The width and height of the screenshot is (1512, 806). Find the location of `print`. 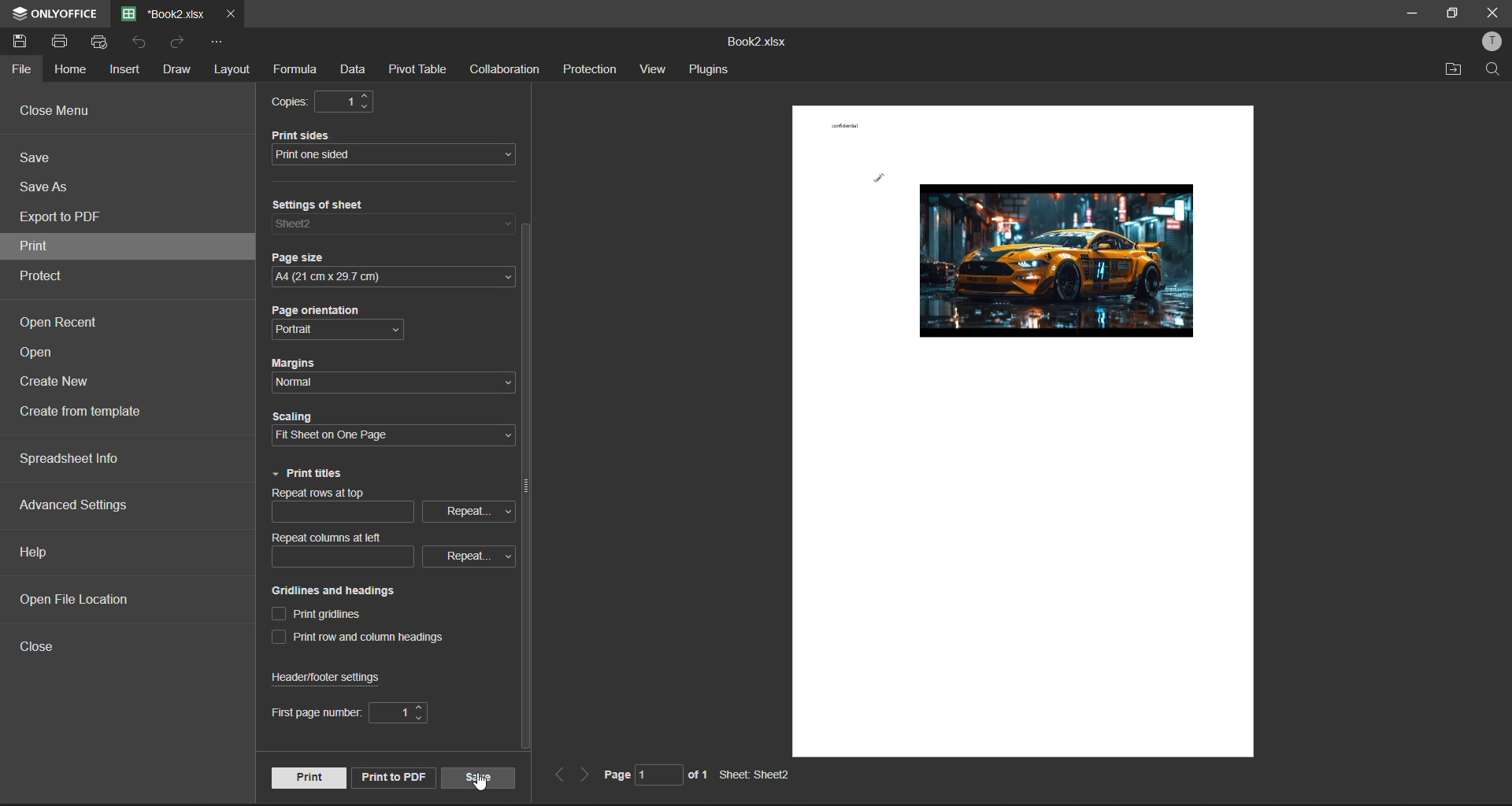

print is located at coordinates (59, 42).